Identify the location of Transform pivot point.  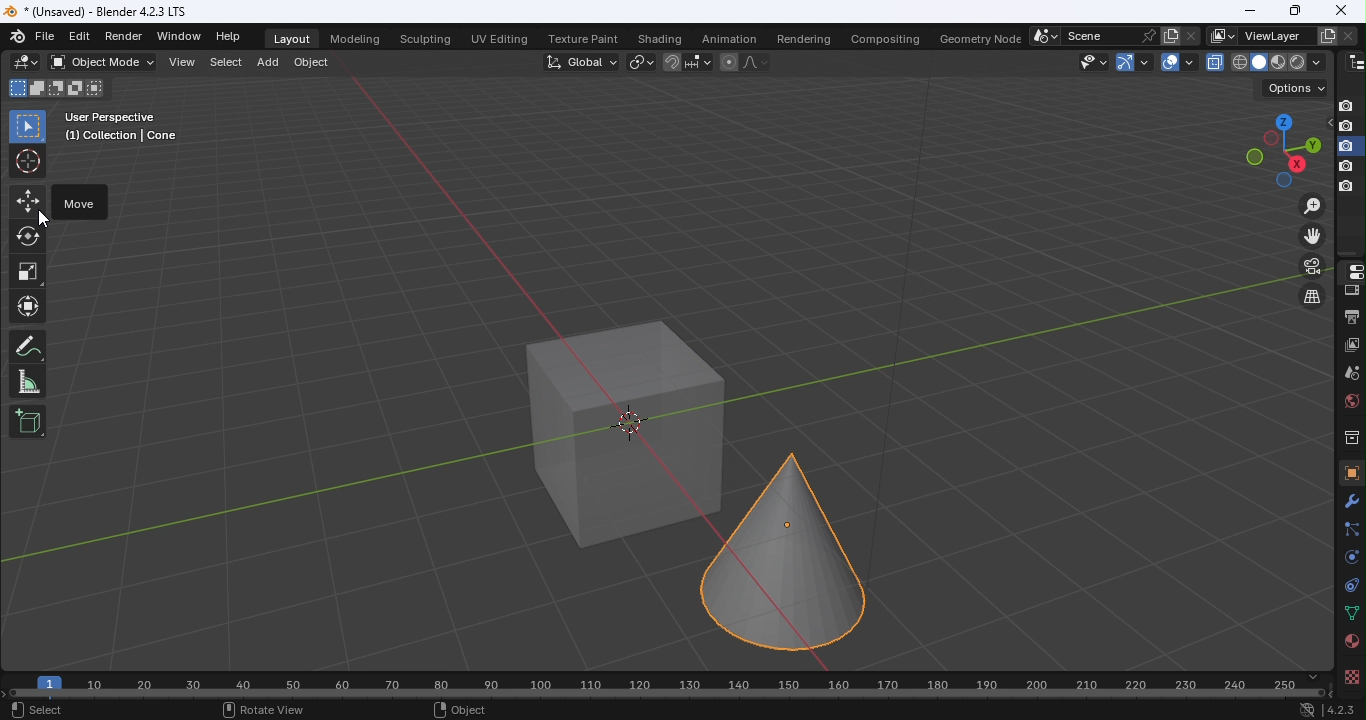
(638, 61).